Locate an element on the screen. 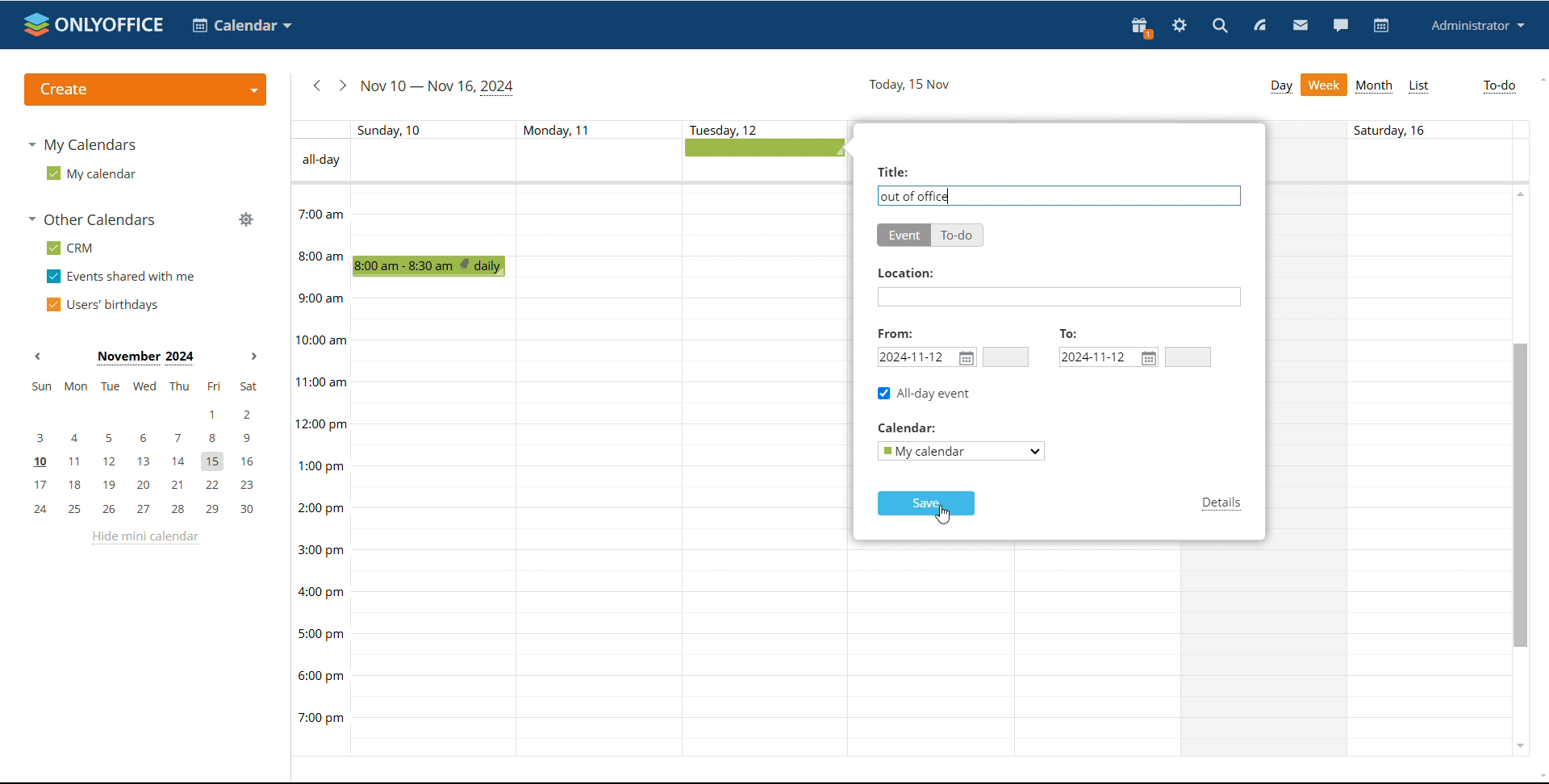  scrollbar is located at coordinates (1522, 495).